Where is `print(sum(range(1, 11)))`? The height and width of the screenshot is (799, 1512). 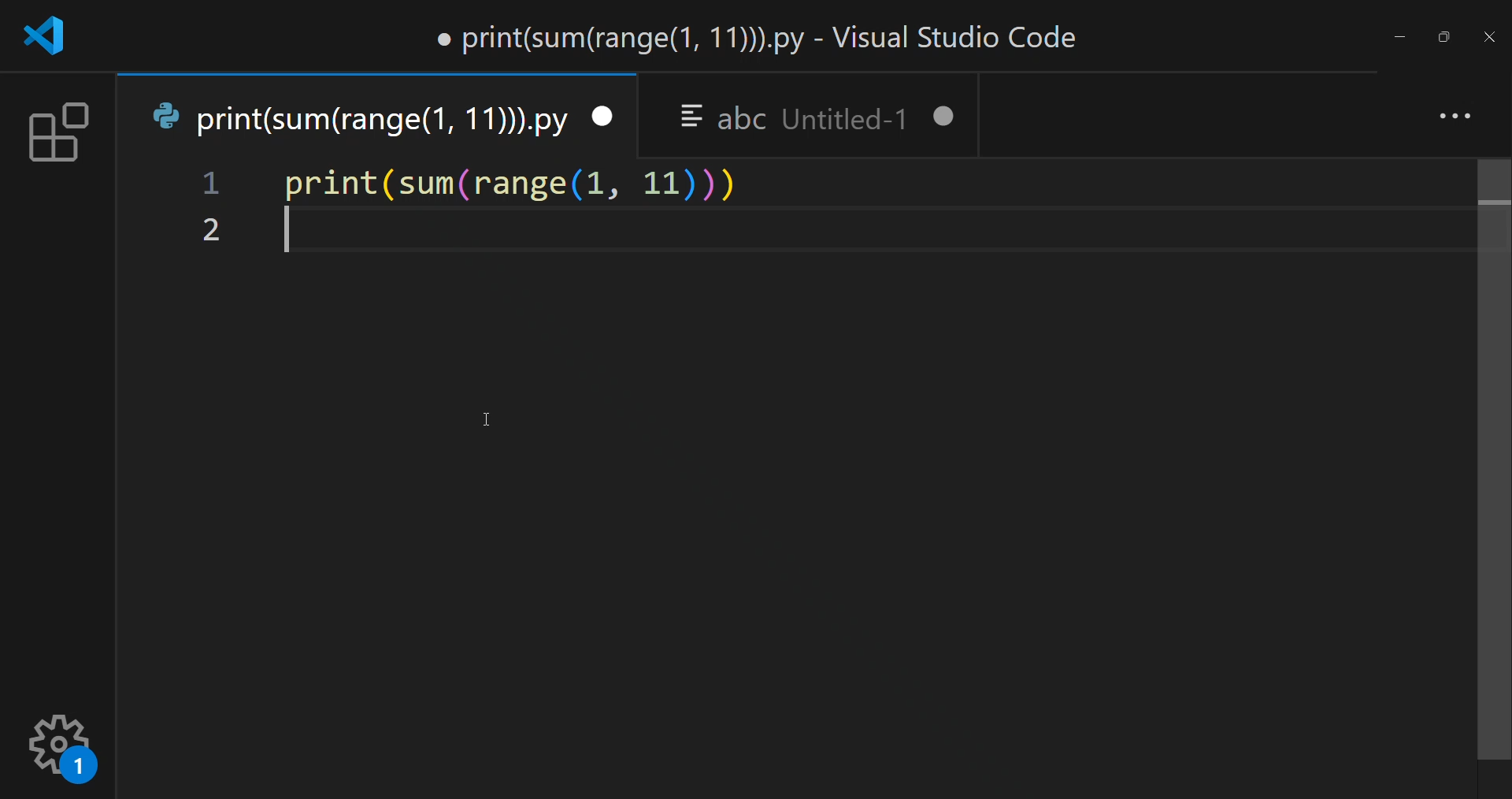
print(sum(range(1, 11))) is located at coordinates (512, 183).